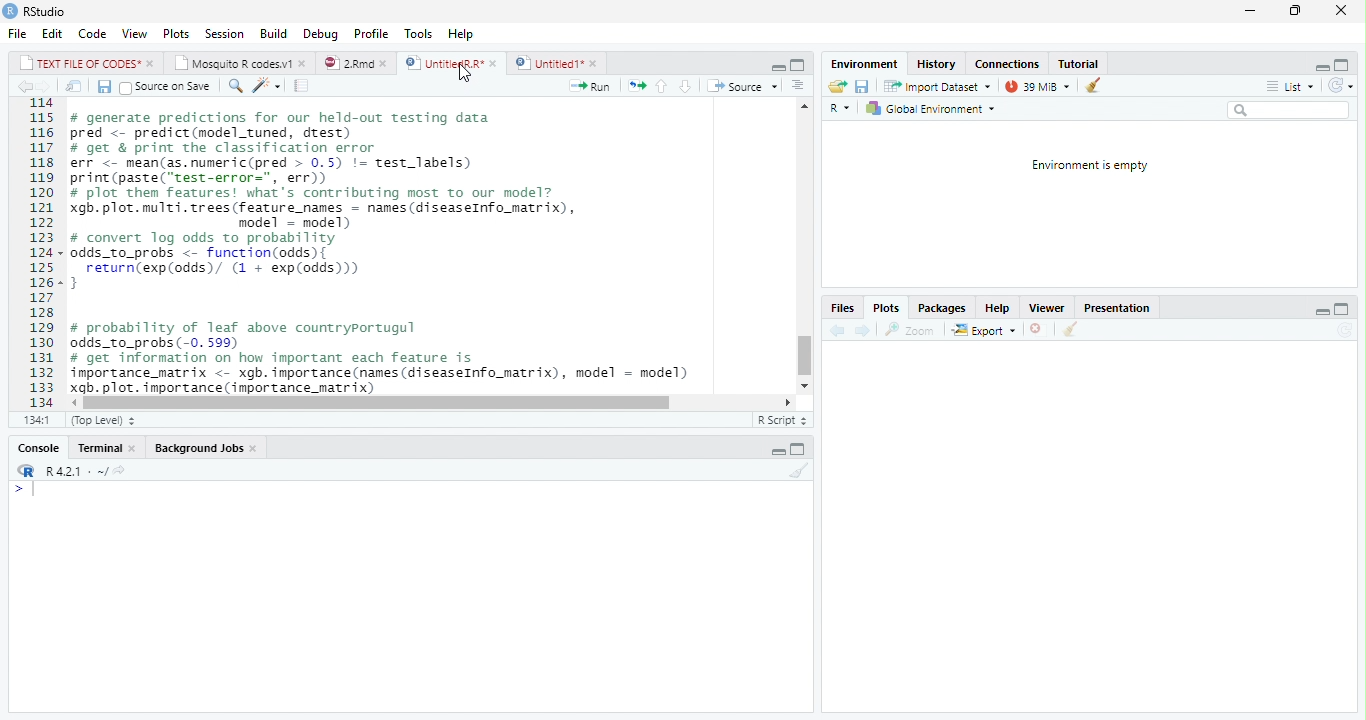 The width and height of the screenshot is (1366, 720). I want to click on Viewer, so click(1049, 307).